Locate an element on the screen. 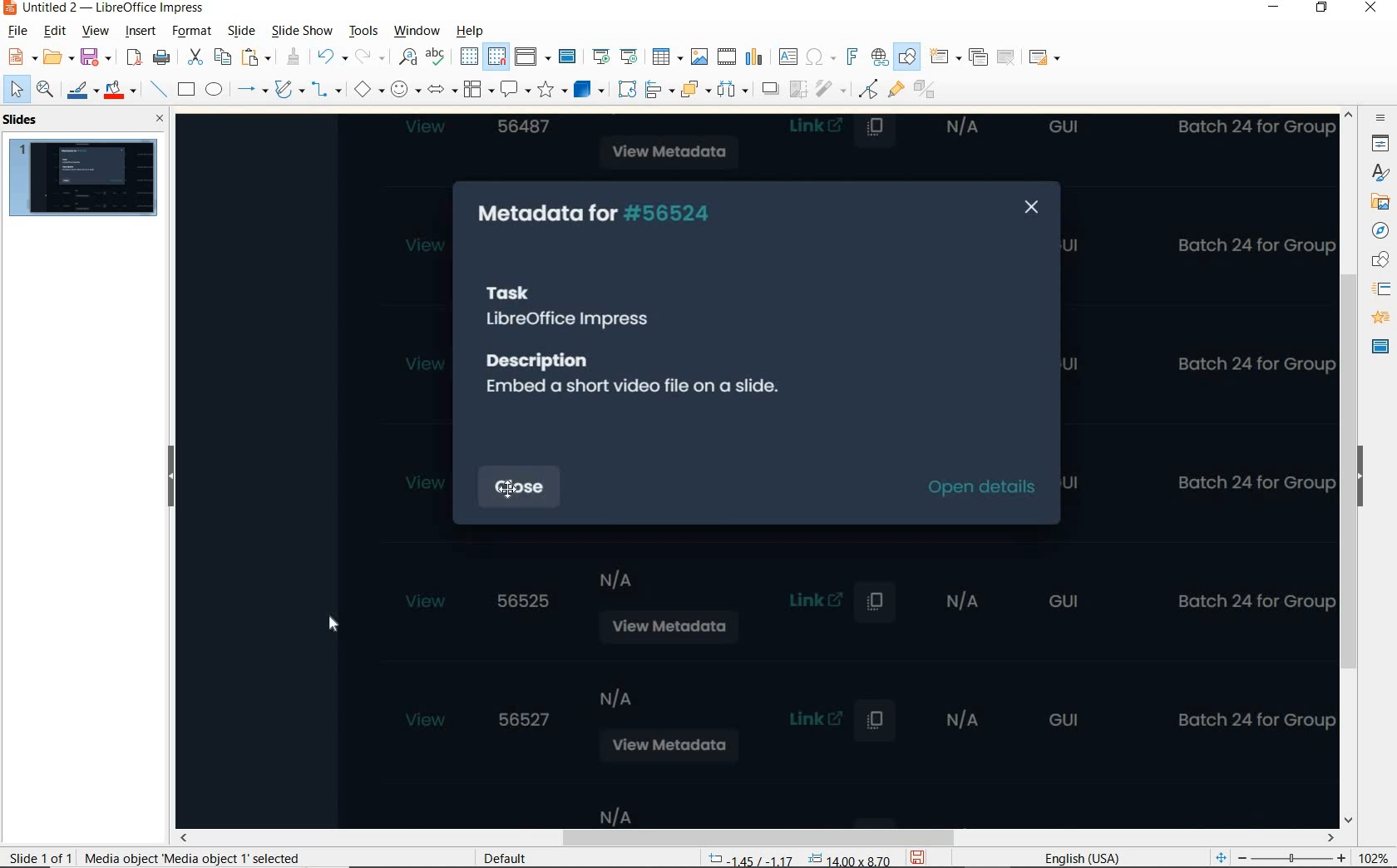 The width and height of the screenshot is (1397, 868). WINDOW is located at coordinates (415, 32).